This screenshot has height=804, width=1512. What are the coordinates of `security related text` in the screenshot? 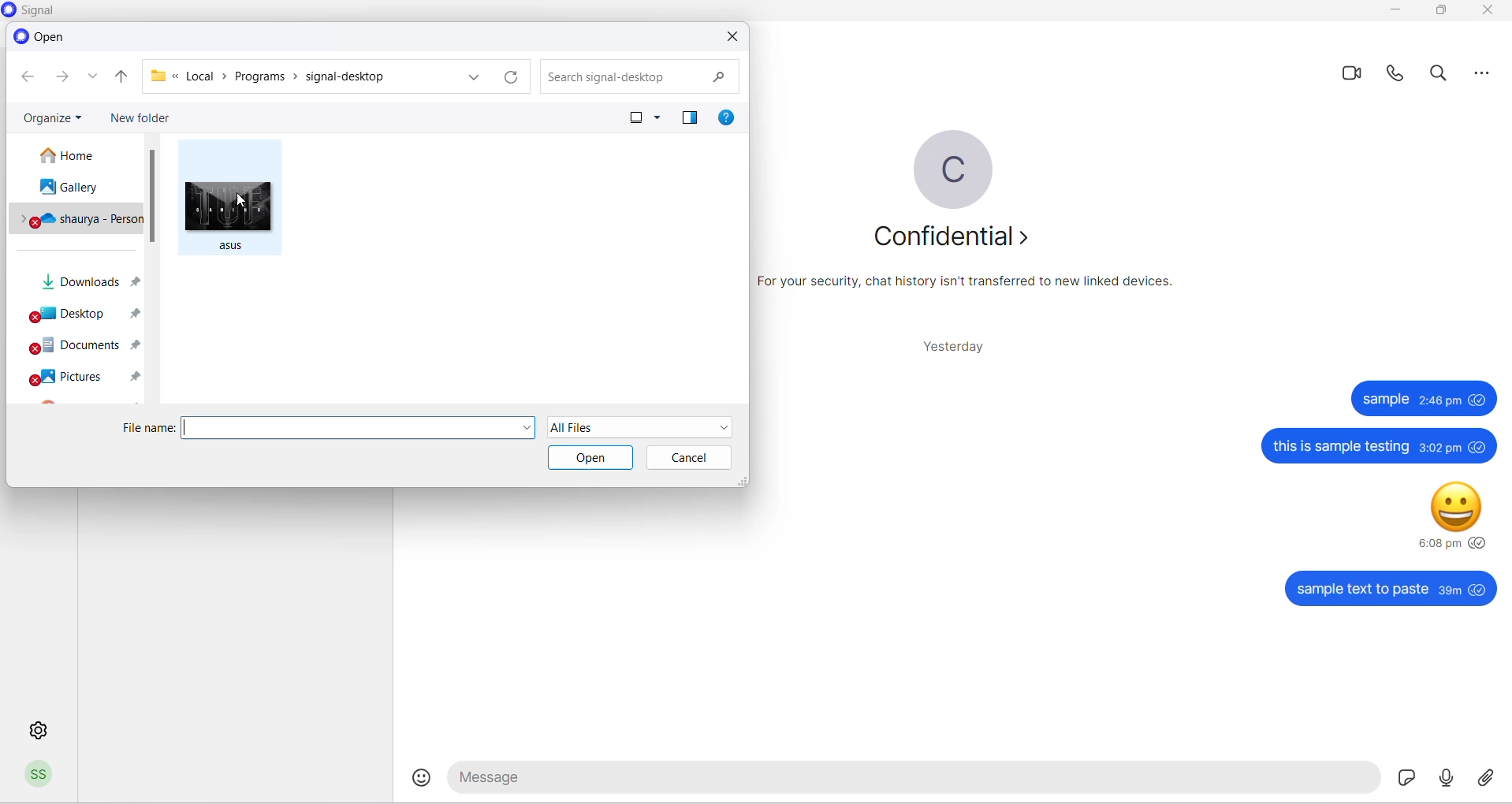 It's located at (974, 287).